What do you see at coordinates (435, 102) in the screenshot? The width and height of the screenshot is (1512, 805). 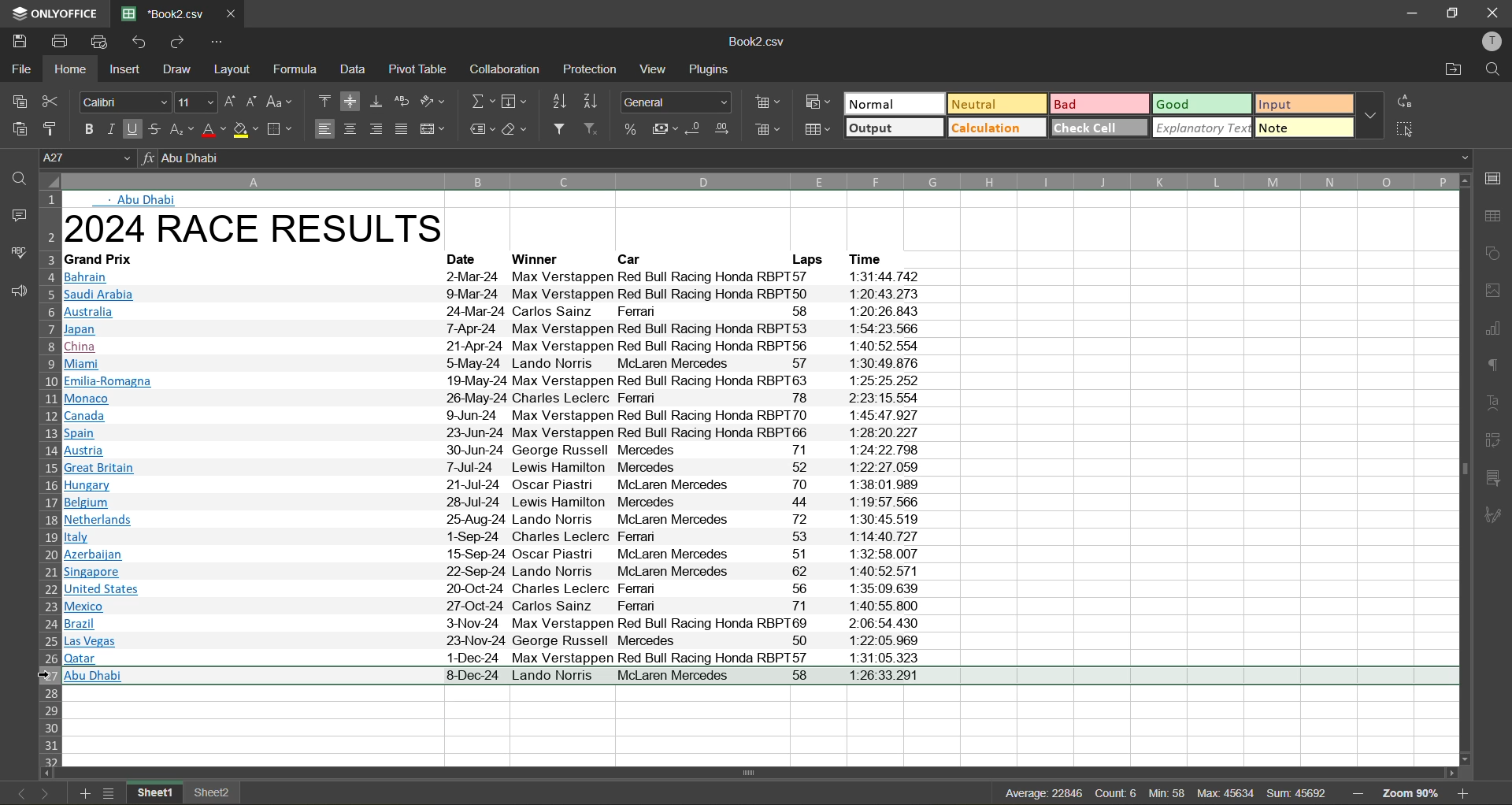 I see `orientation` at bounding box center [435, 102].